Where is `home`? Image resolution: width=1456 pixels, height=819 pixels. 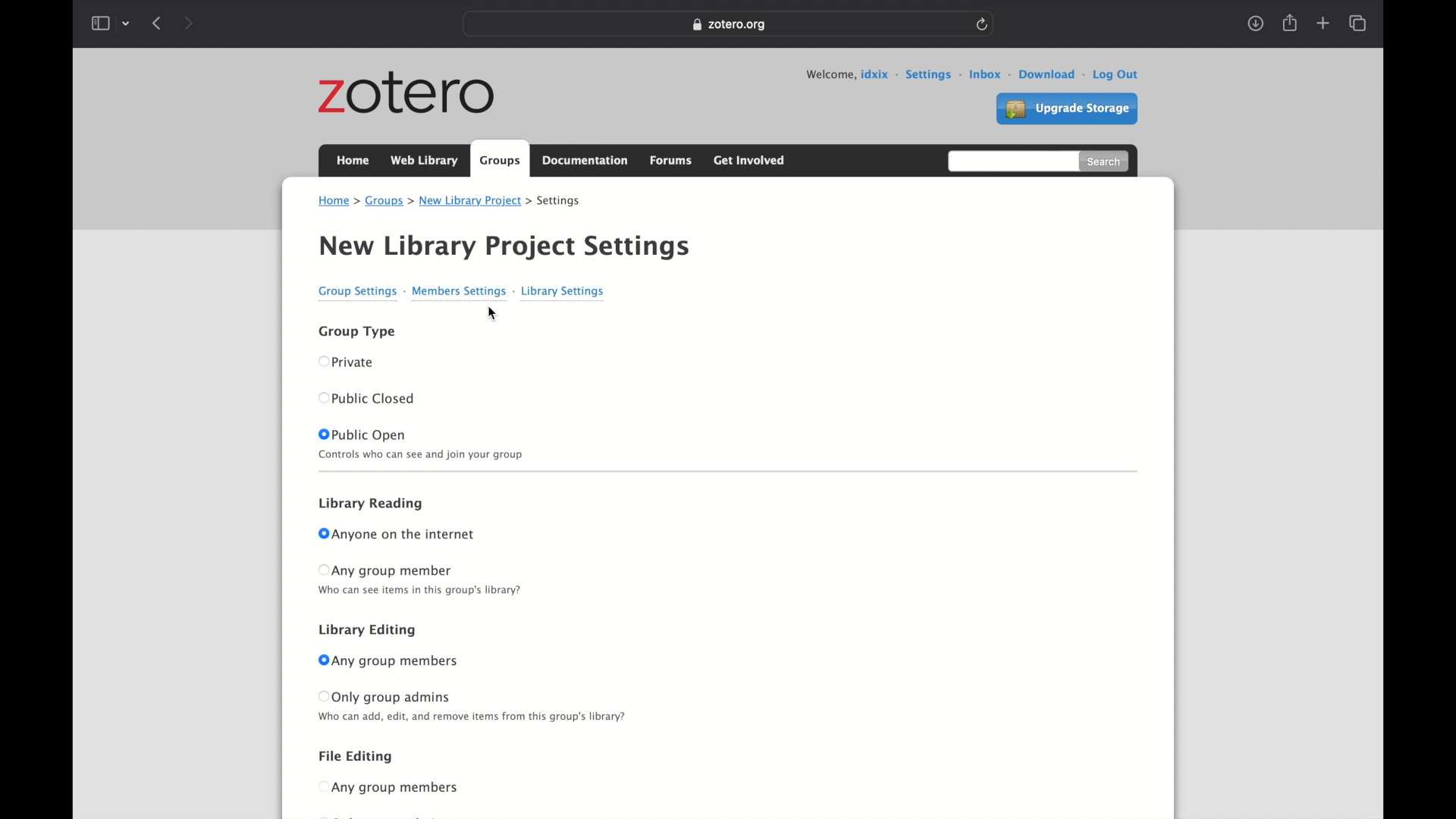
home is located at coordinates (337, 201).